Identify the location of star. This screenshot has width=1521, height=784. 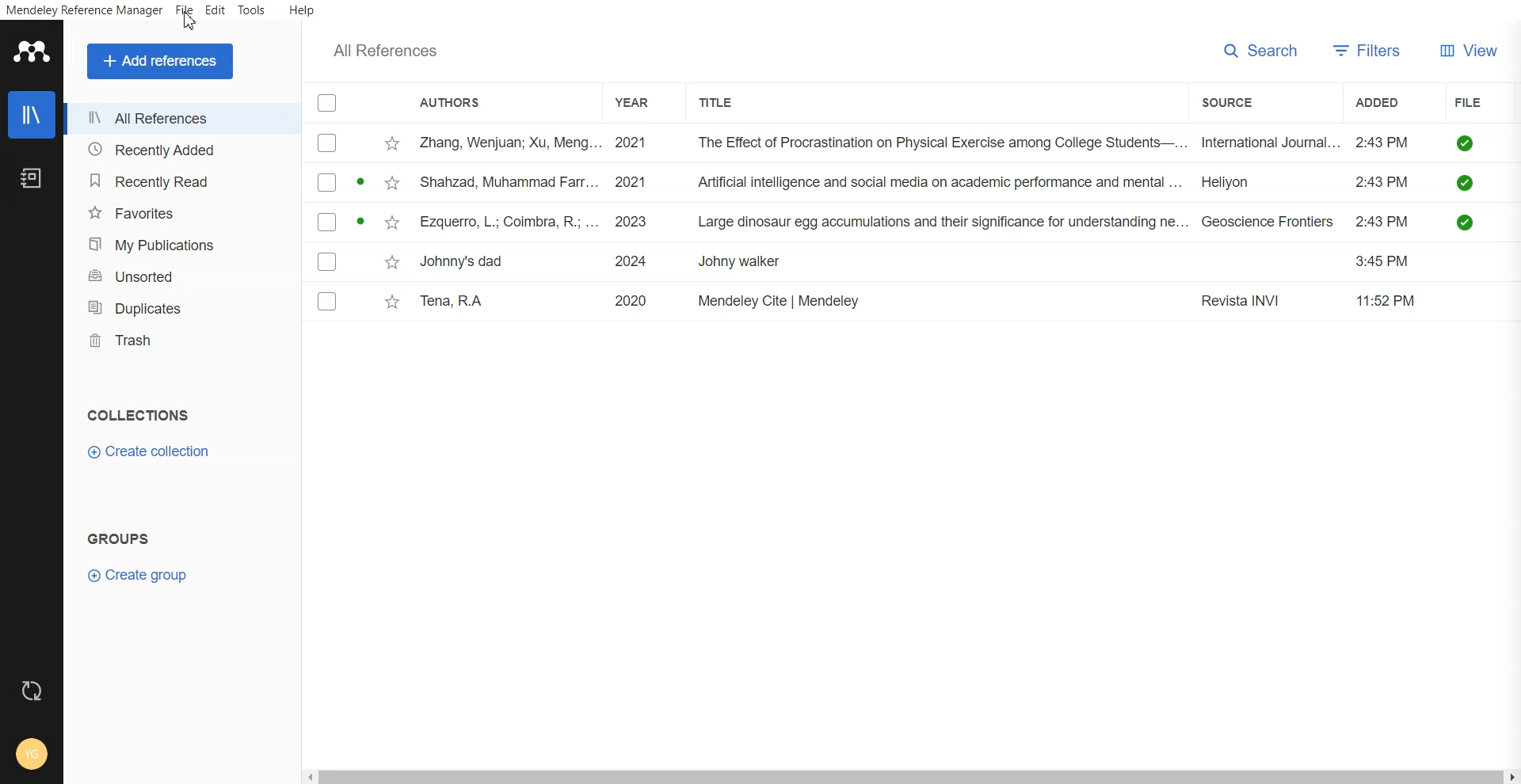
(391, 144).